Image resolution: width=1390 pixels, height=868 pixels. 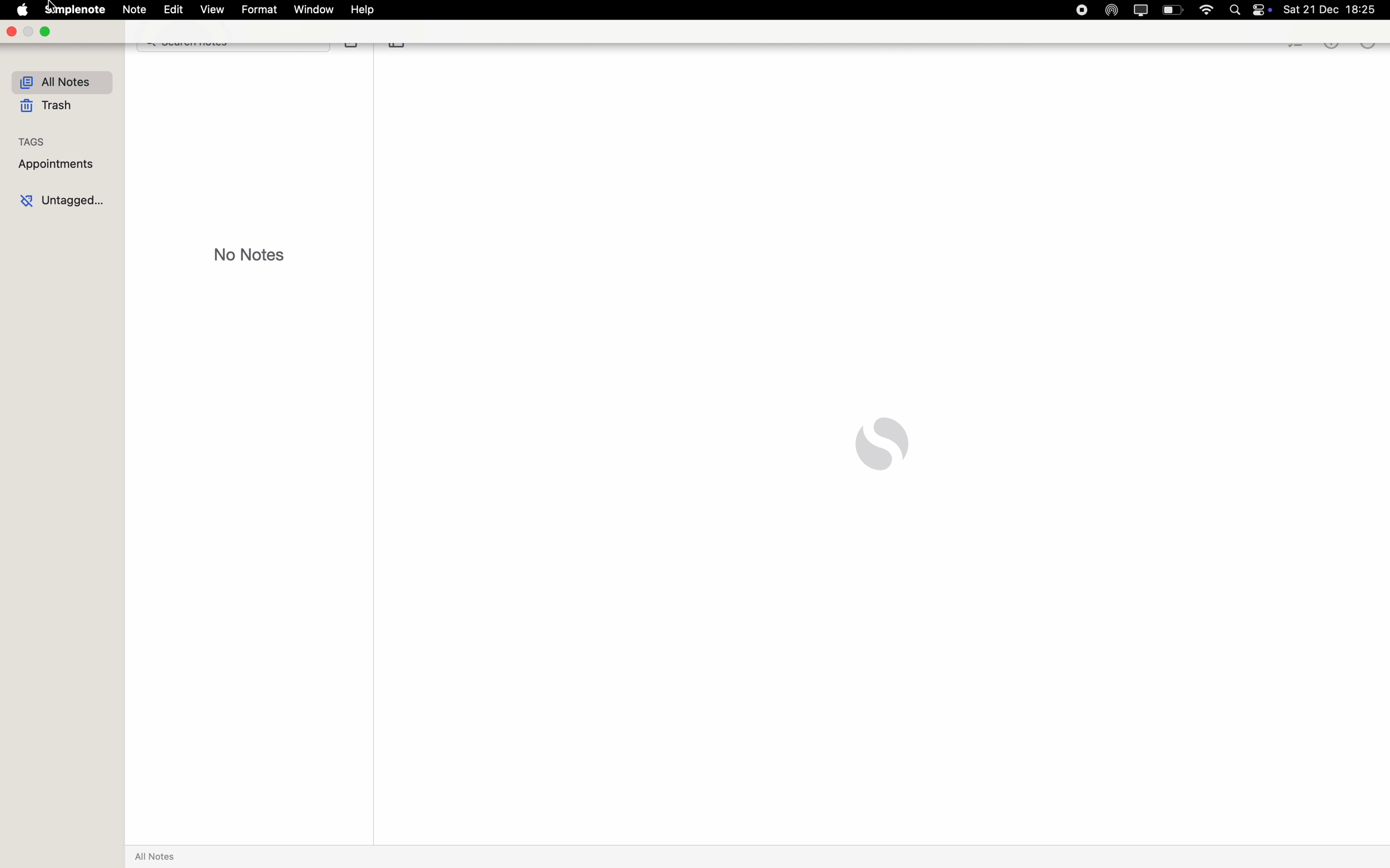 I want to click on more options, so click(x=1368, y=48).